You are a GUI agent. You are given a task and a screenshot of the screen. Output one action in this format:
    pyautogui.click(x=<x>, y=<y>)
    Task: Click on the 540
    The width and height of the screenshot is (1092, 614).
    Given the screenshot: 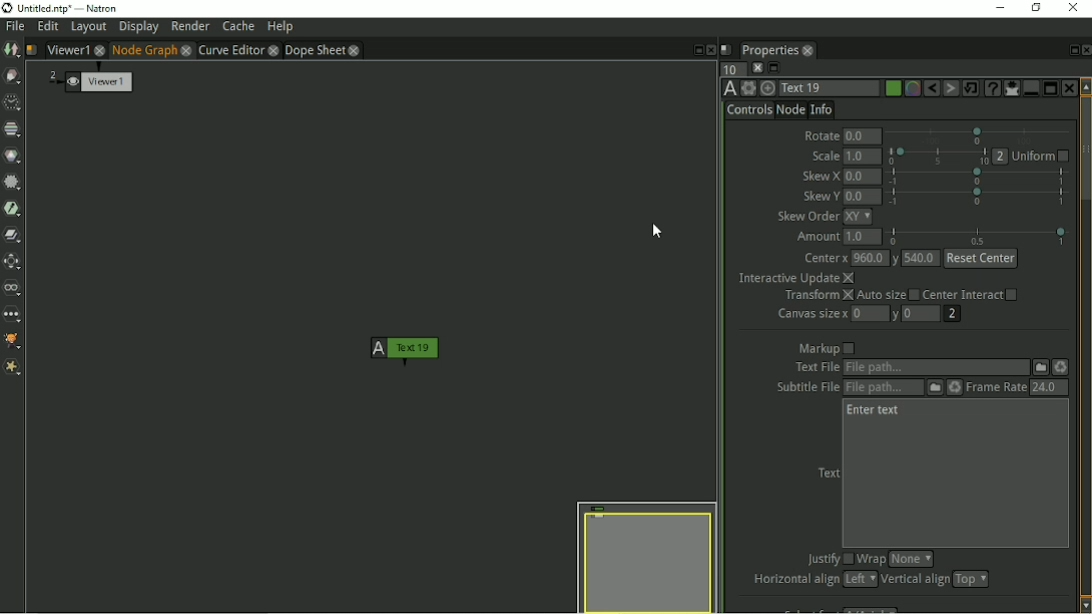 What is the action you would take?
    pyautogui.click(x=923, y=258)
    